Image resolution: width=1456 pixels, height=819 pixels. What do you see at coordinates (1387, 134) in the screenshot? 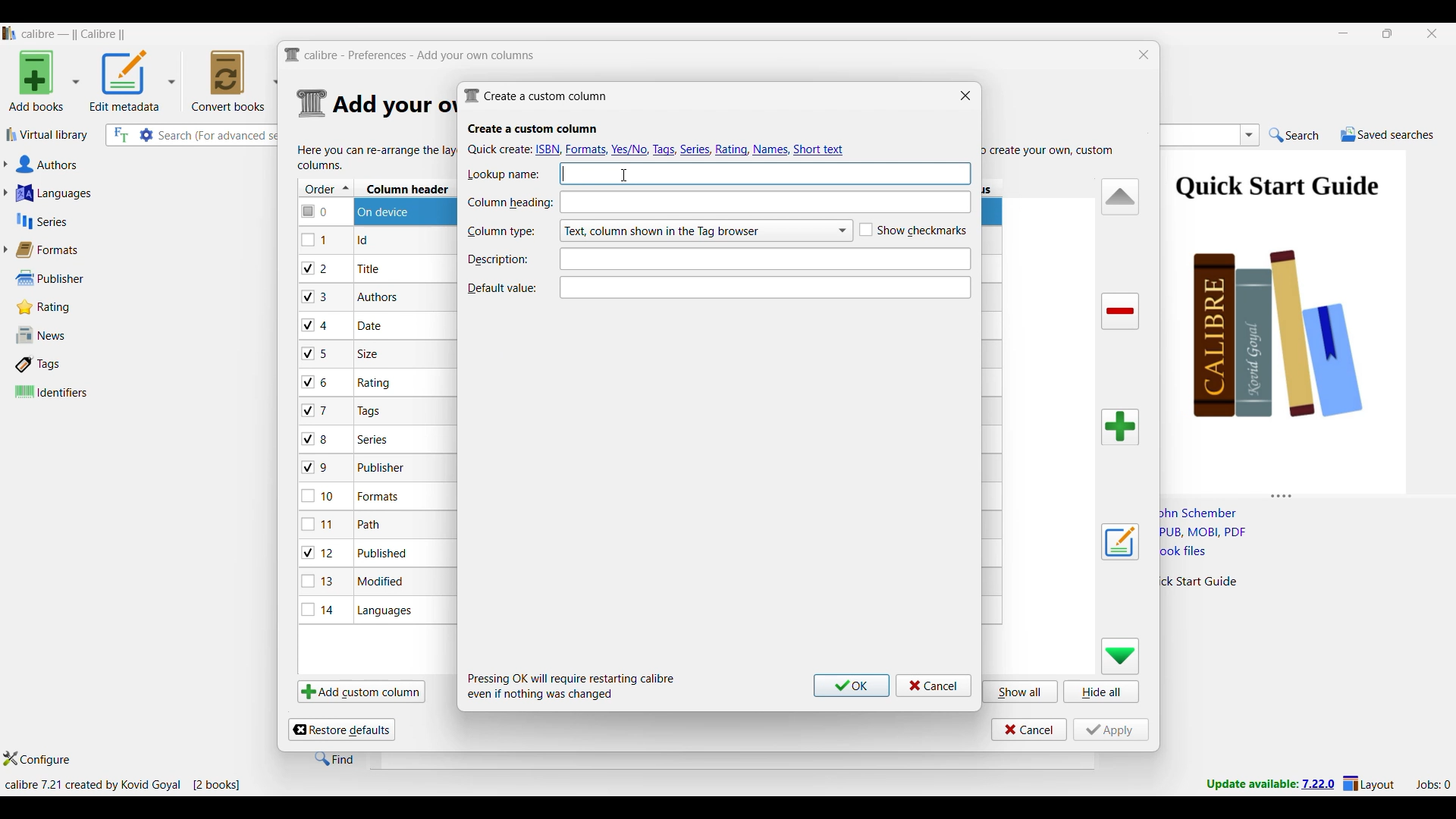
I see `Saved searches` at bounding box center [1387, 134].